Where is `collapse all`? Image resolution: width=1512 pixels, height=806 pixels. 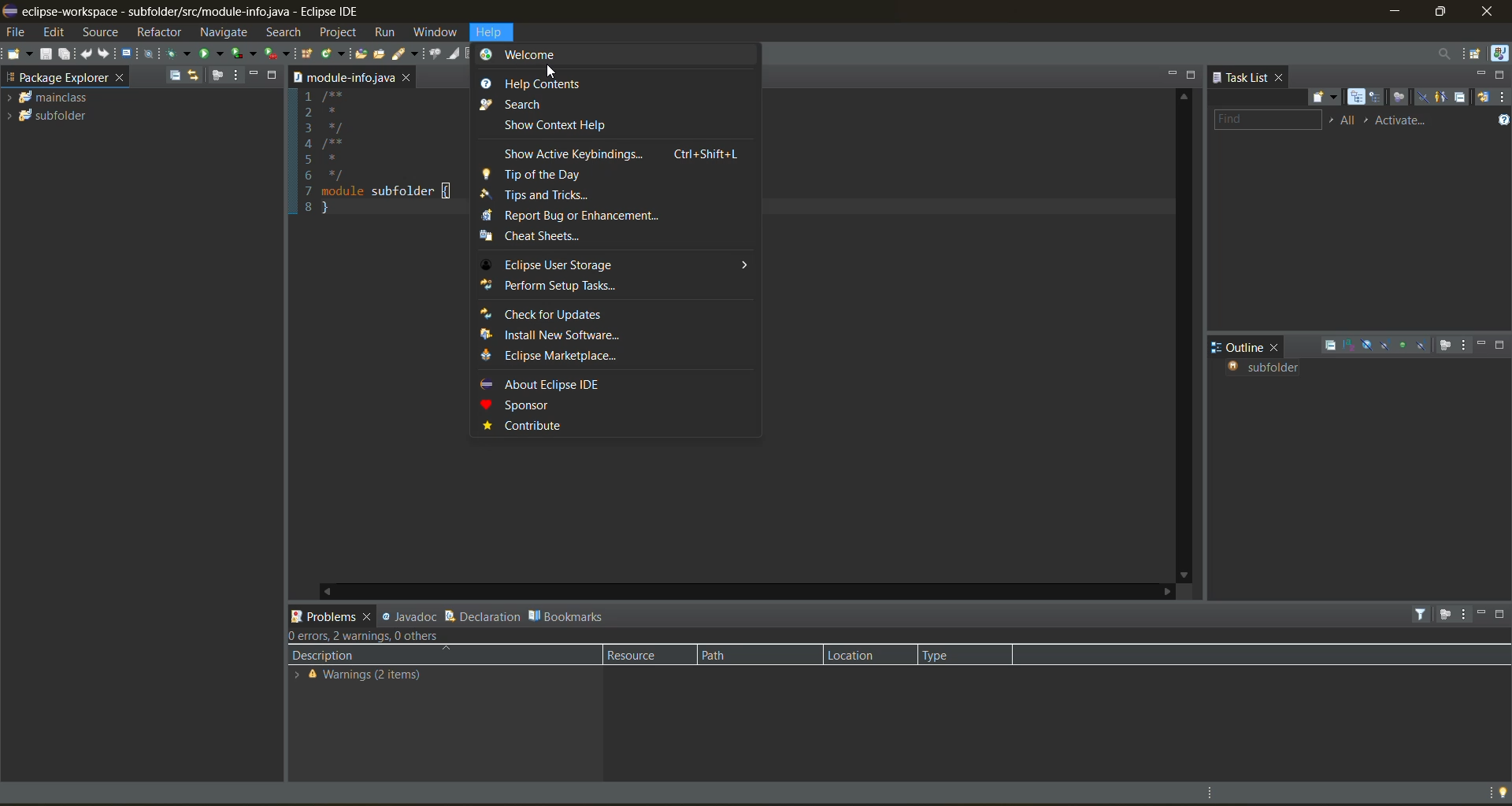 collapse all is located at coordinates (176, 77).